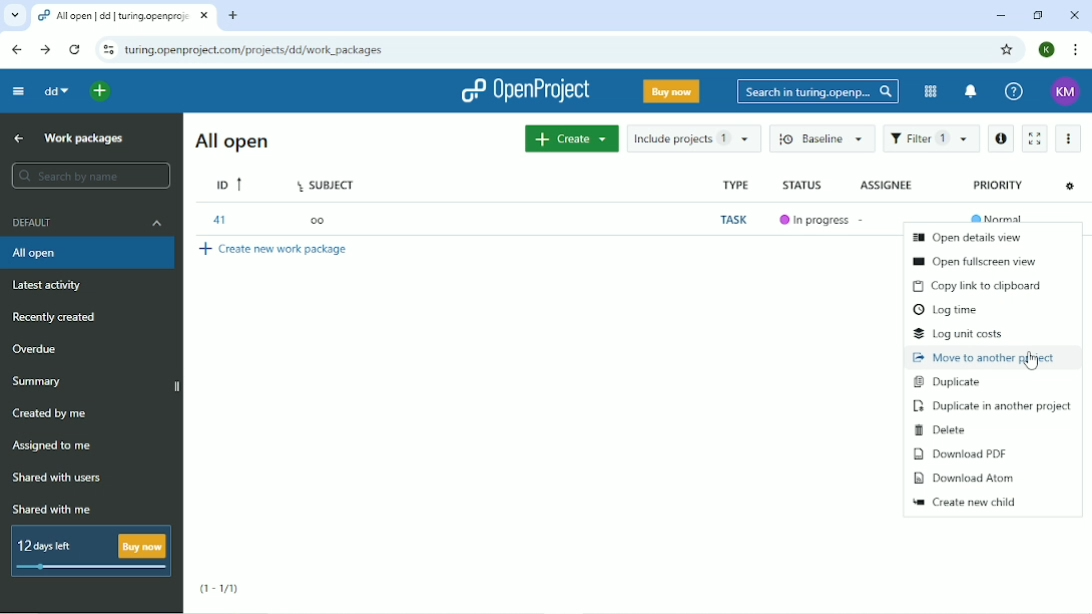 The image size is (1092, 614). What do you see at coordinates (45, 50) in the screenshot?
I see `Forward` at bounding box center [45, 50].